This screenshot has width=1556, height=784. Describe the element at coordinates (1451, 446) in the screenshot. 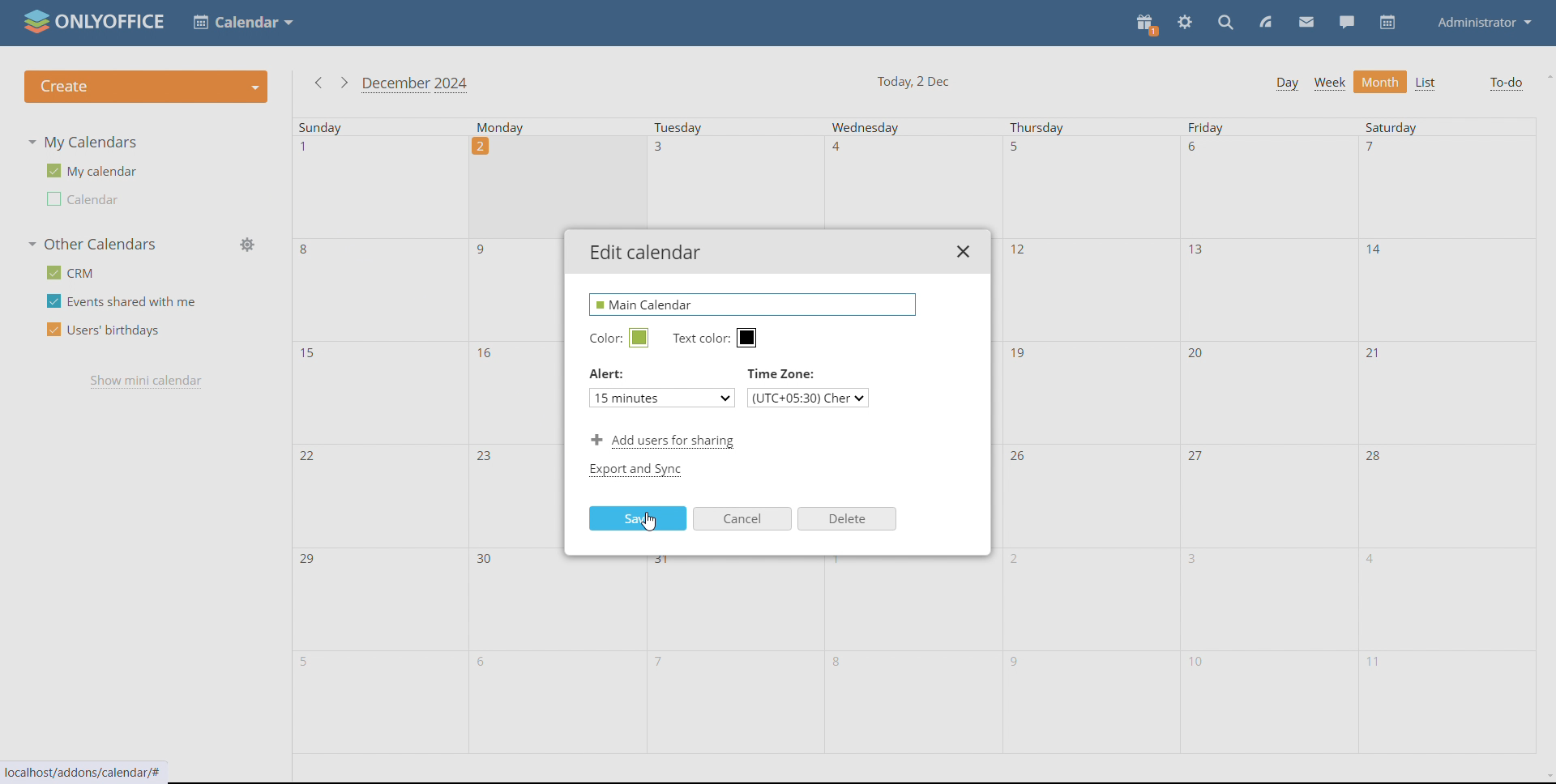

I see `saturday` at that location.